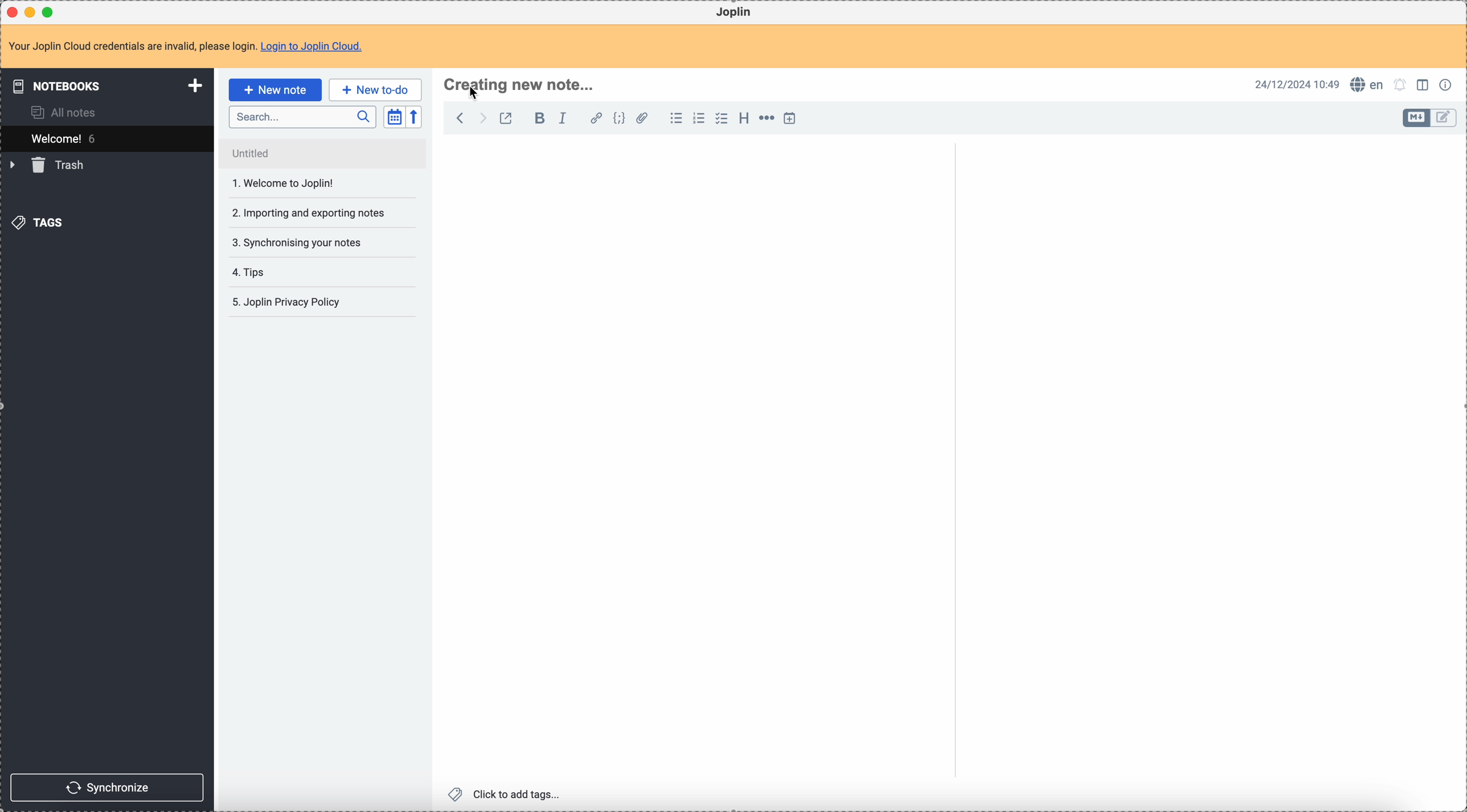 This screenshot has height=812, width=1467. What do you see at coordinates (284, 272) in the screenshot?
I see `tips` at bounding box center [284, 272].